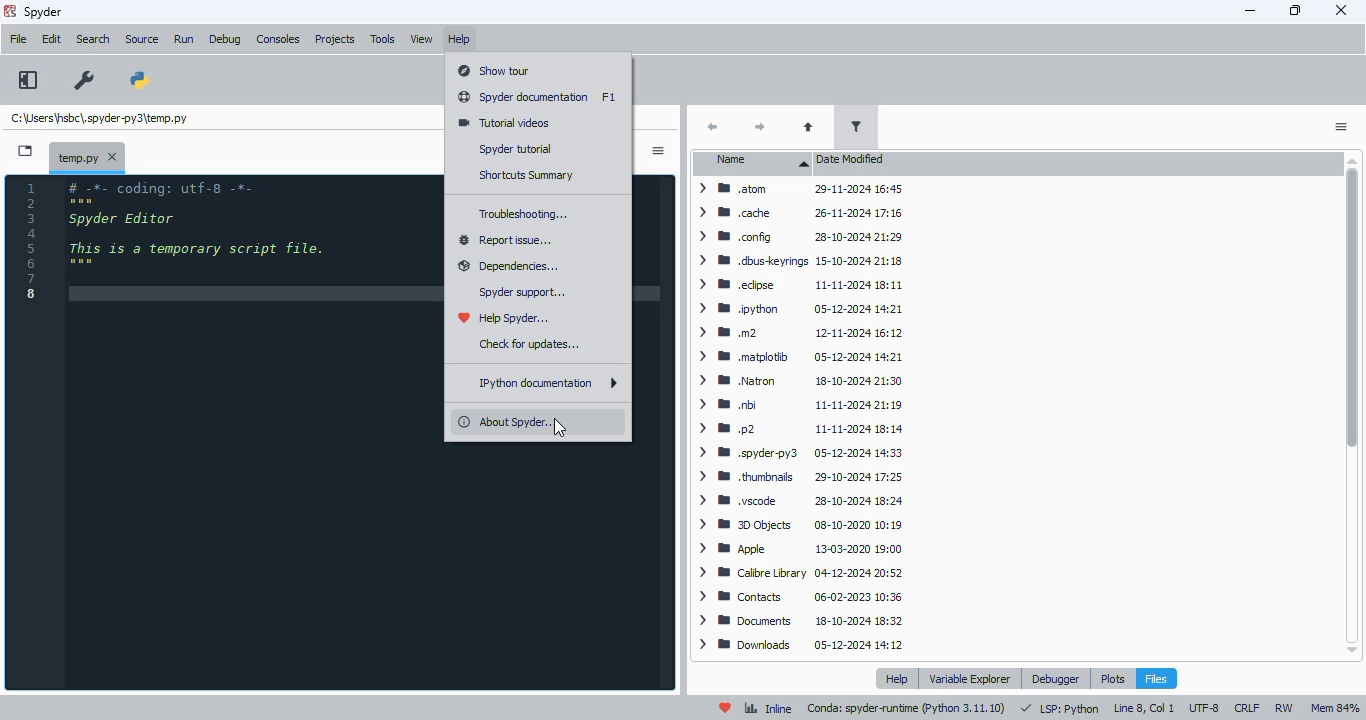 The height and width of the screenshot is (720, 1366). I want to click on > ® Natron 18-10-2024 21:30, so click(796, 379).